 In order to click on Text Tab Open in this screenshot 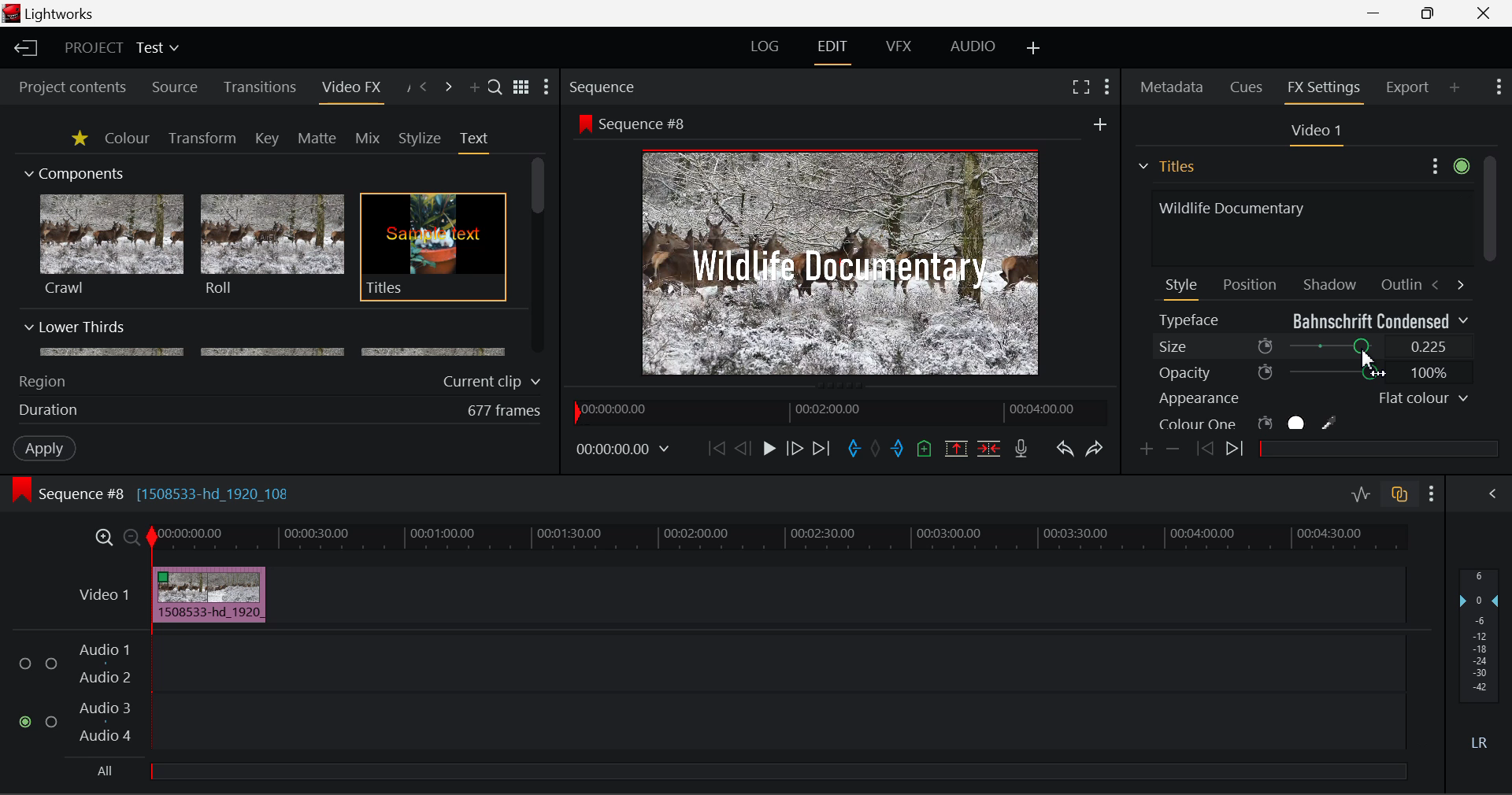, I will do `click(478, 142)`.